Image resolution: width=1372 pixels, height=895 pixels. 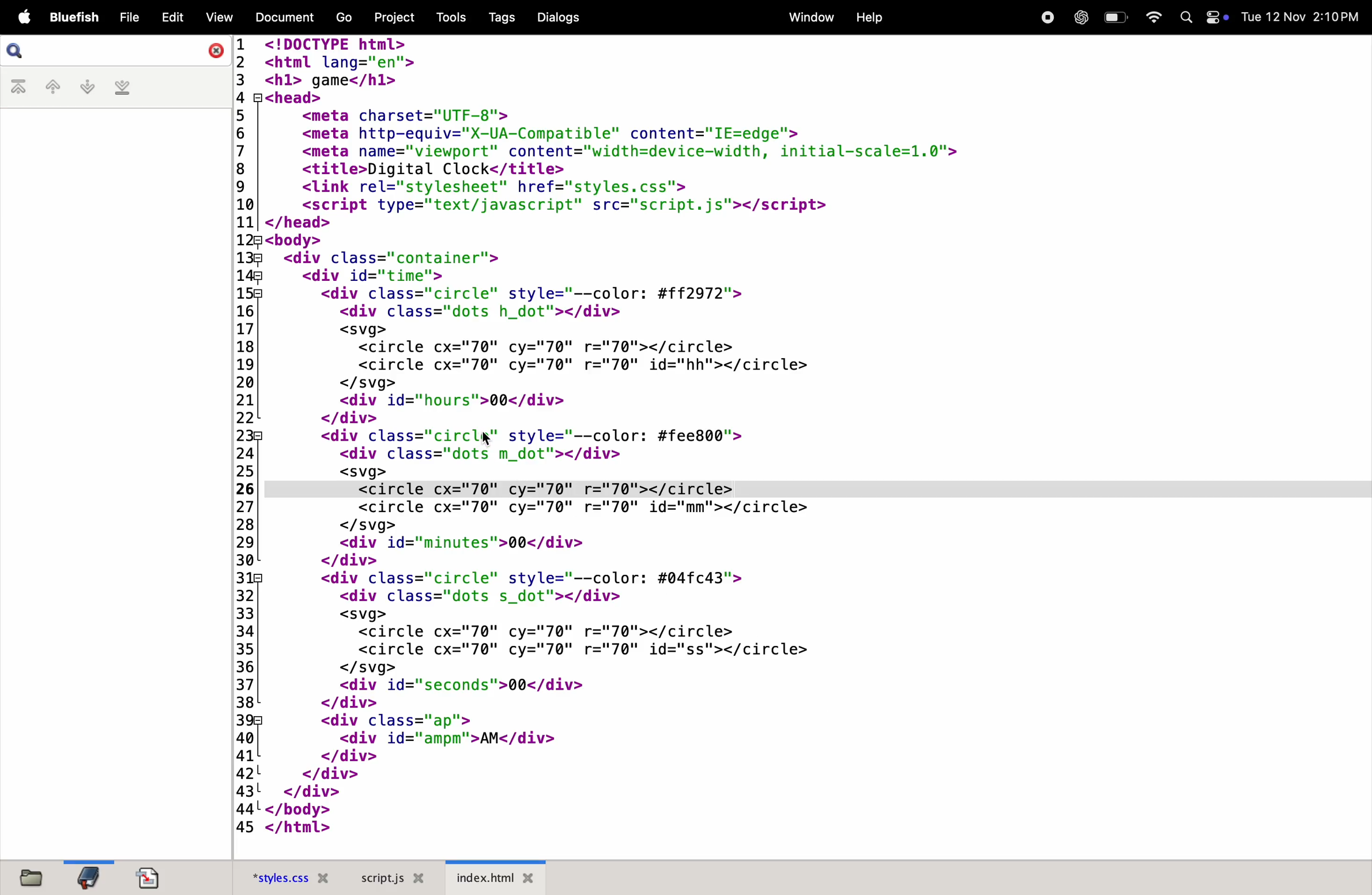 I want to click on Search, so click(x=1185, y=17).